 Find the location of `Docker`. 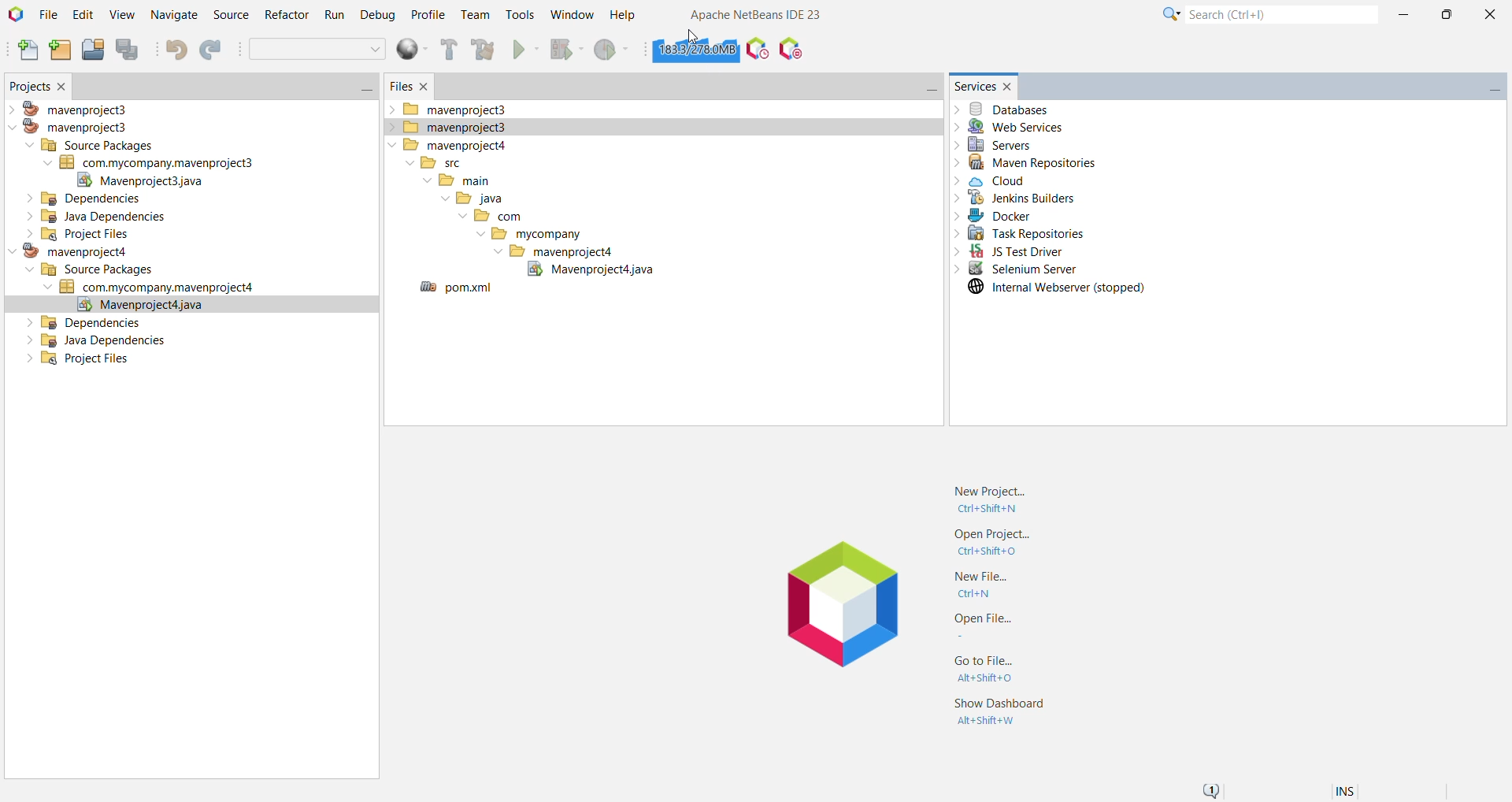

Docker is located at coordinates (991, 217).